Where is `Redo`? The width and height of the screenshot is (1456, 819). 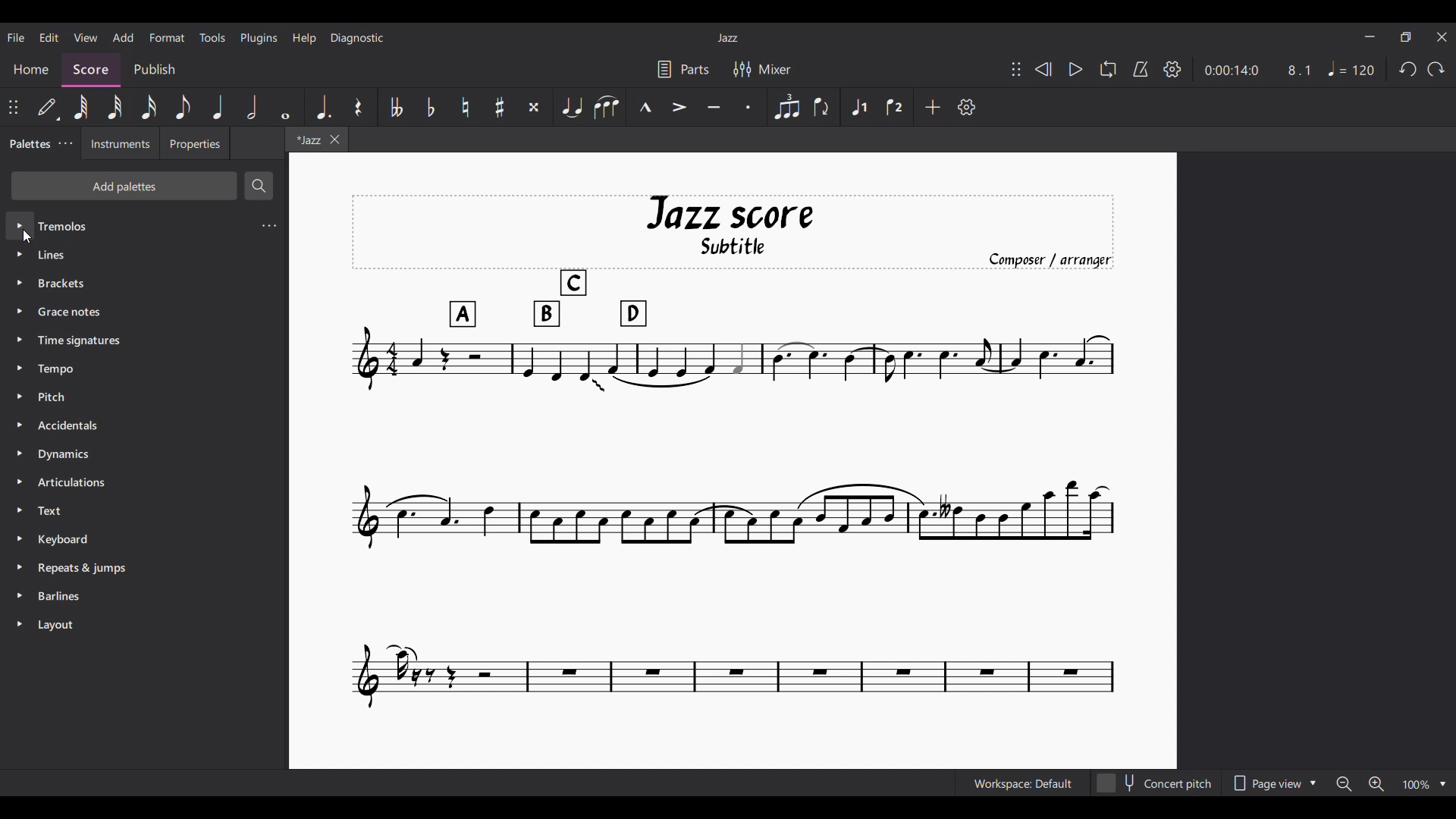
Redo is located at coordinates (1437, 69).